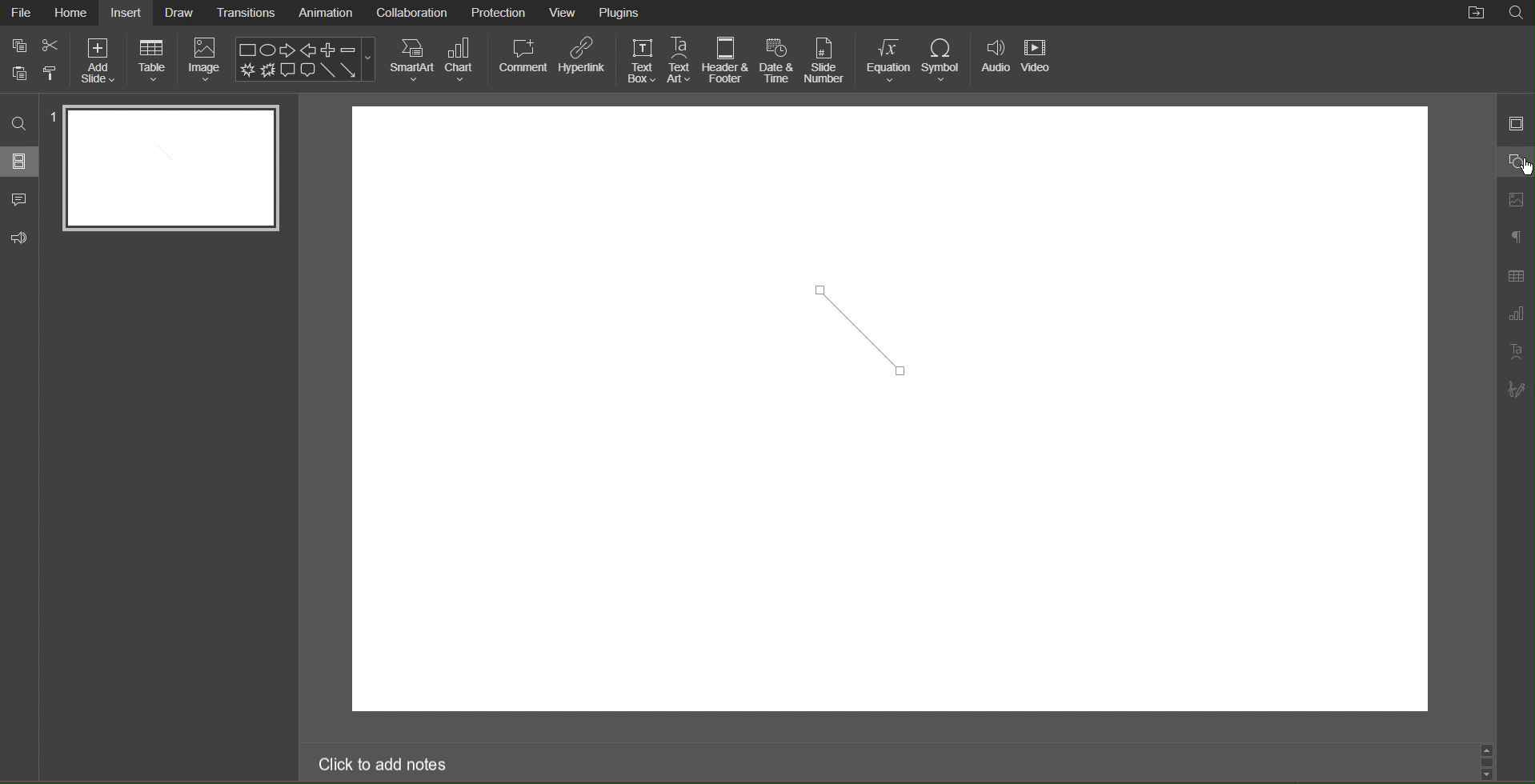  What do you see at coordinates (20, 201) in the screenshot?
I see `Comment` at bounding box center [20, 201].